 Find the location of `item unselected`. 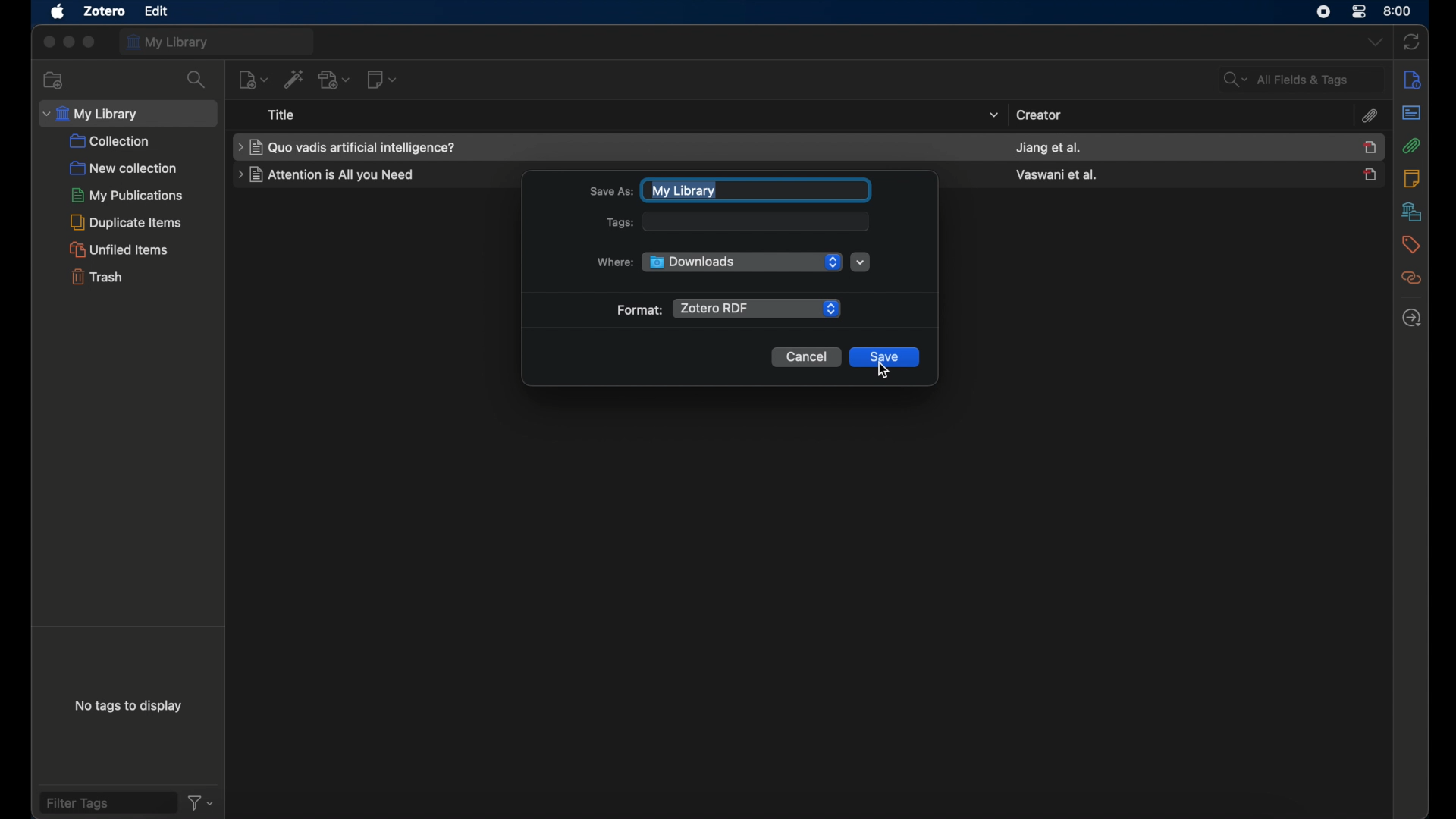

item unselected is located at coordinates (1370, 174).